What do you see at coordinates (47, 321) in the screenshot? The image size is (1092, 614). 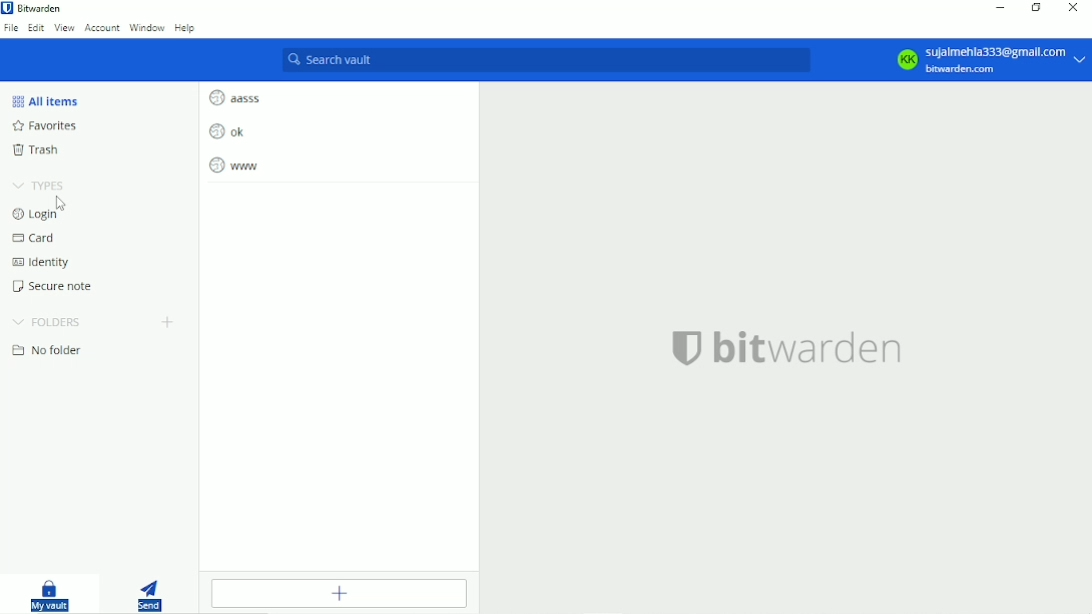 I see `Folders` at bounding box center [47, 321].